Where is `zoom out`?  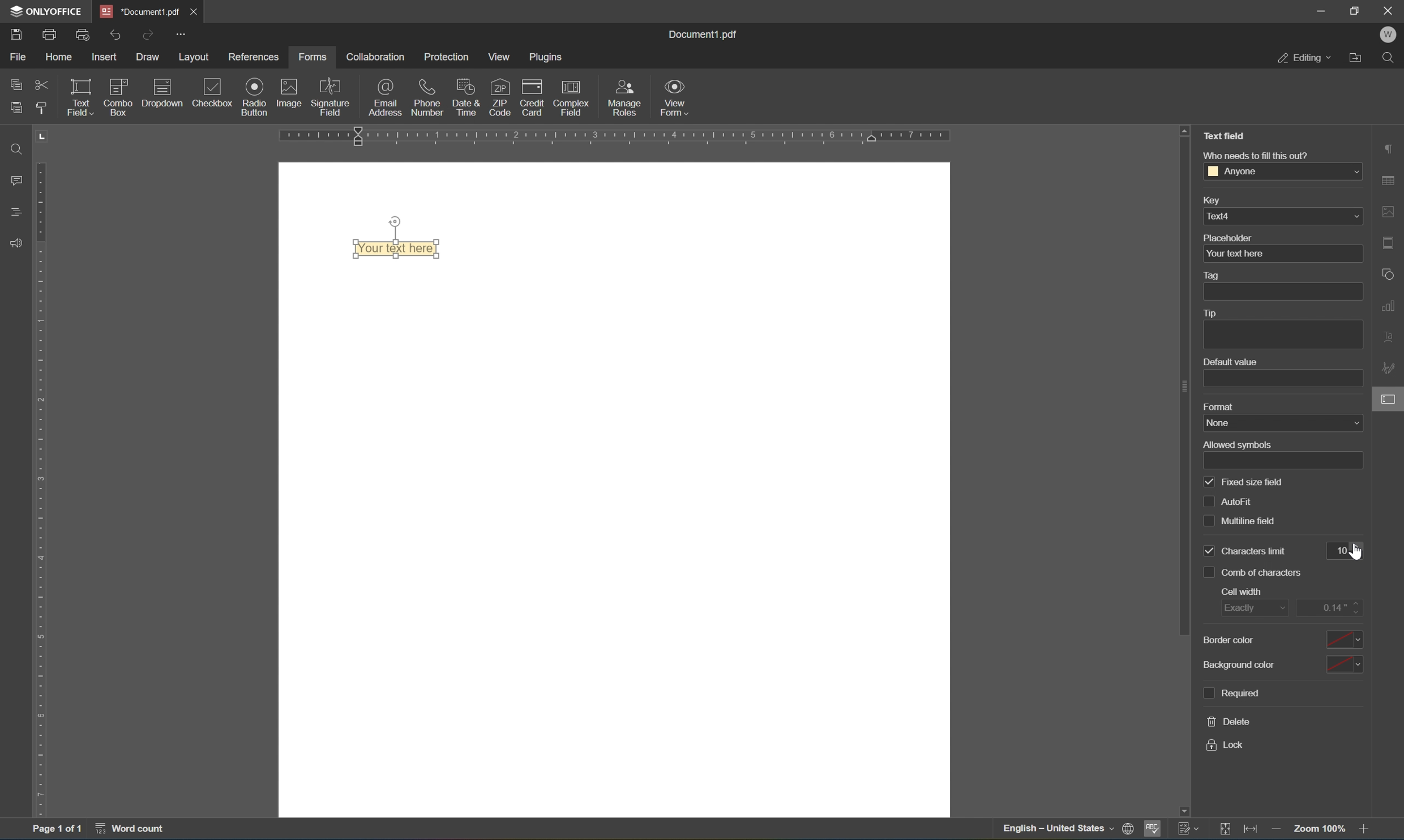 zoom out is located at coordinates (1367, 830).